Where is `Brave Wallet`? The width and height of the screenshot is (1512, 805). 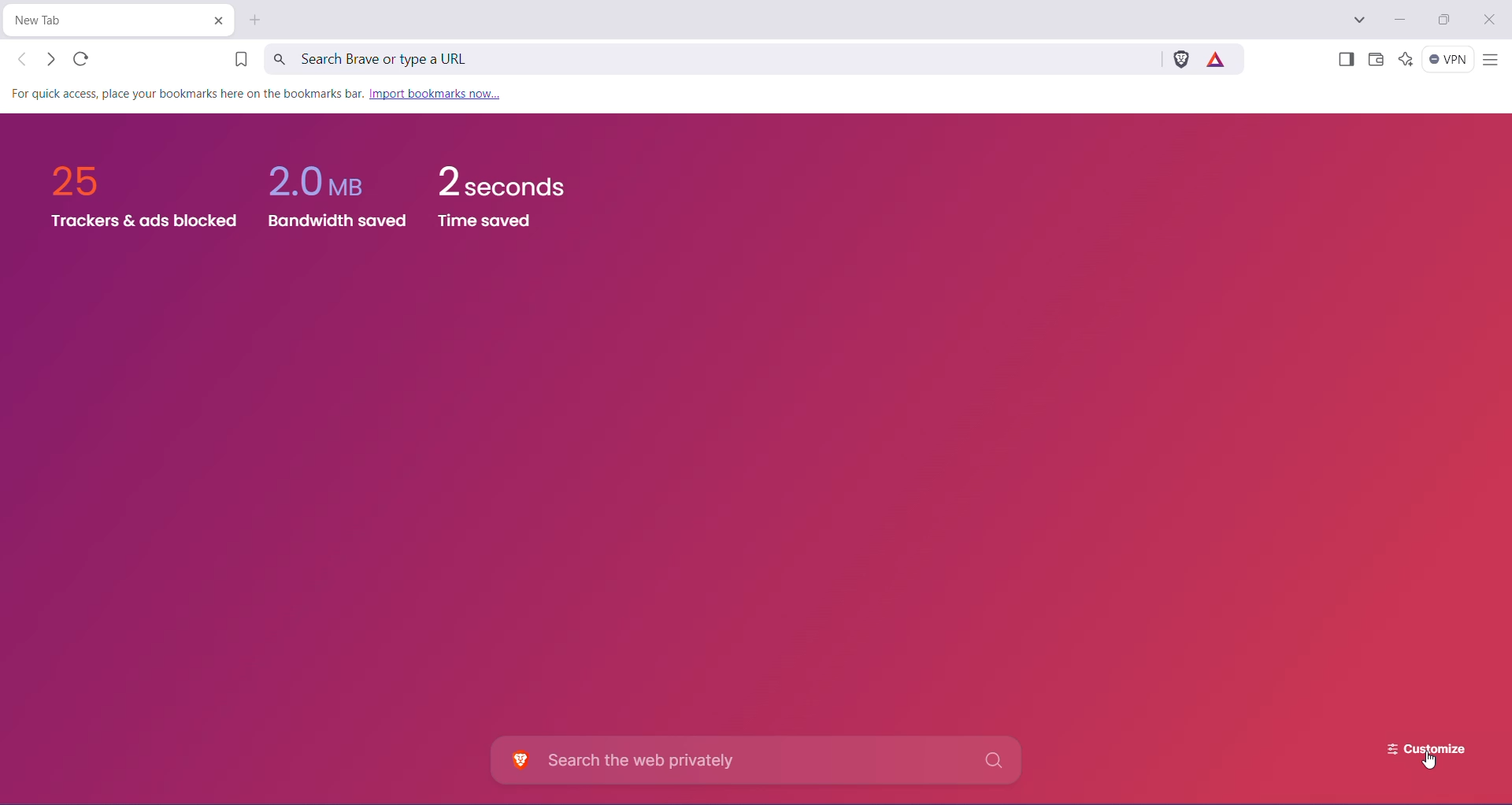
Brave Wallet is located at coordinates (1376, 61).